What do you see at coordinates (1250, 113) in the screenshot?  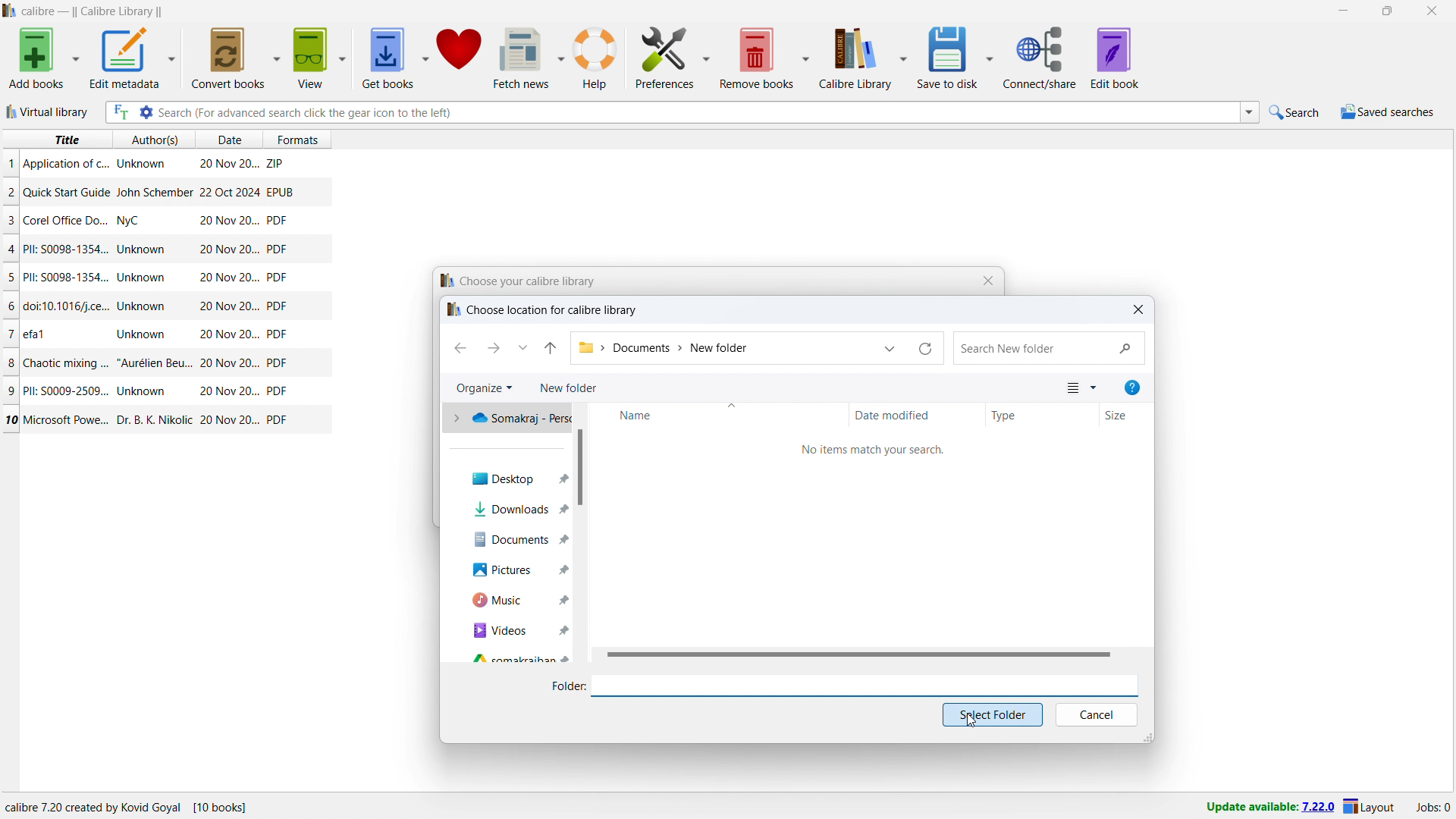 I see `search history` at bounding box center [1250, 113].